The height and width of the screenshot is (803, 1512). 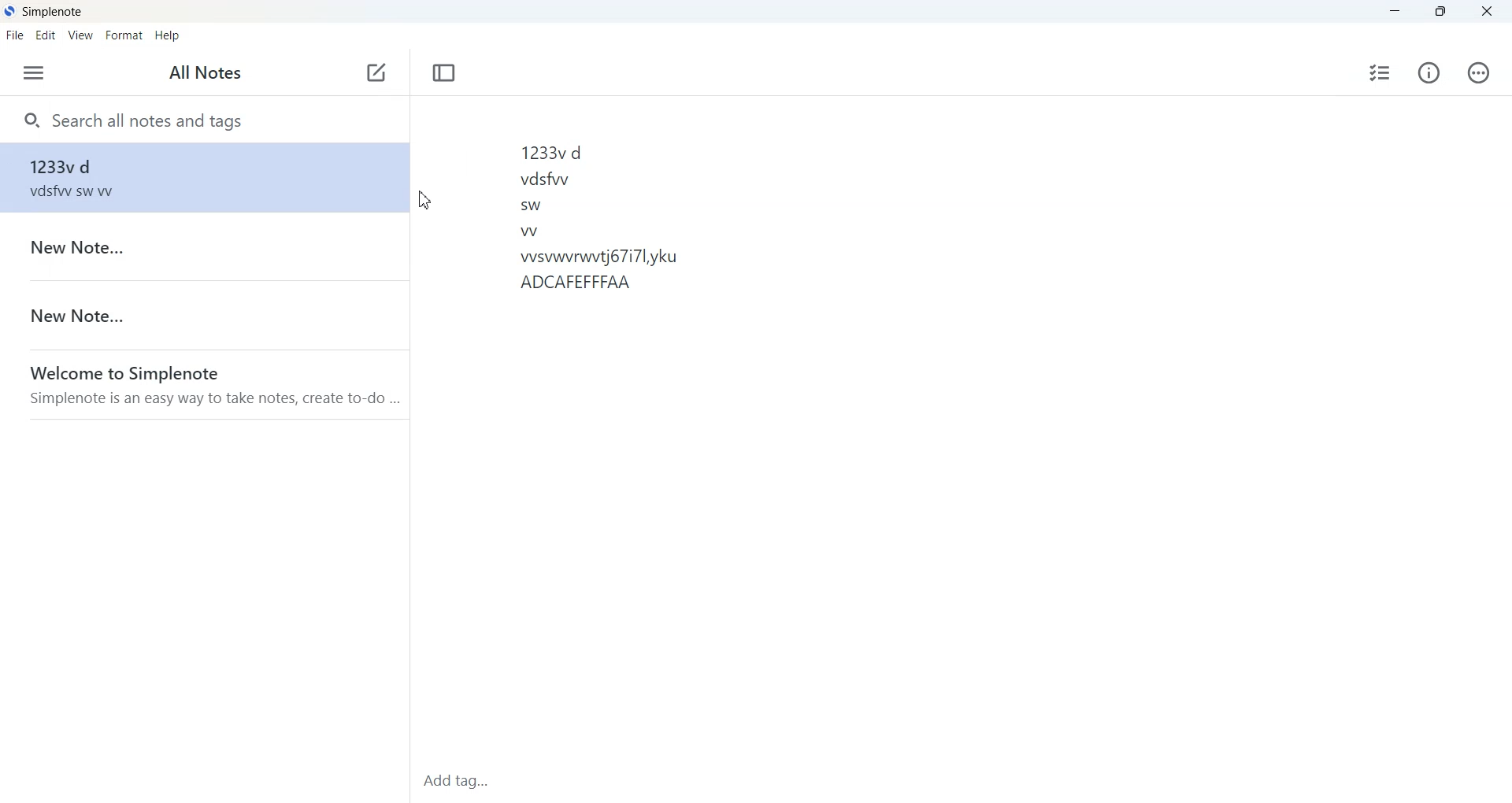 I want to click on Cursor, so click(x=425, y=200).